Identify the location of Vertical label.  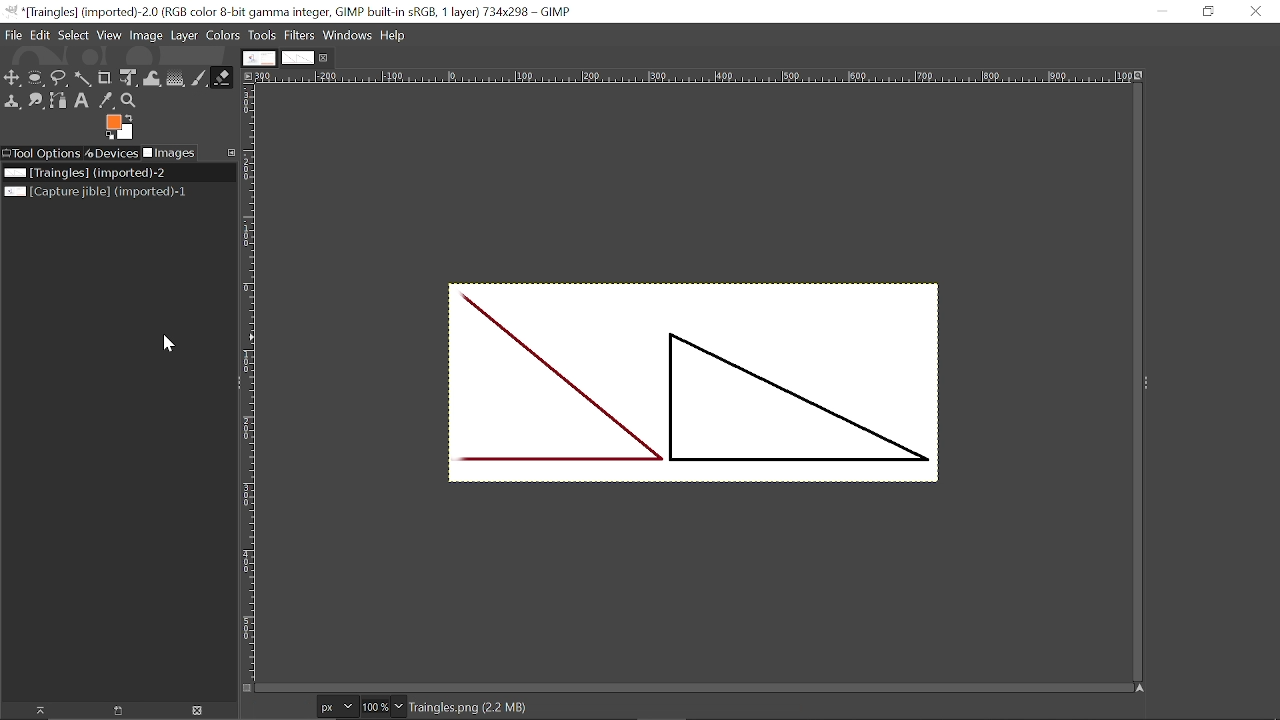
(251, 383).